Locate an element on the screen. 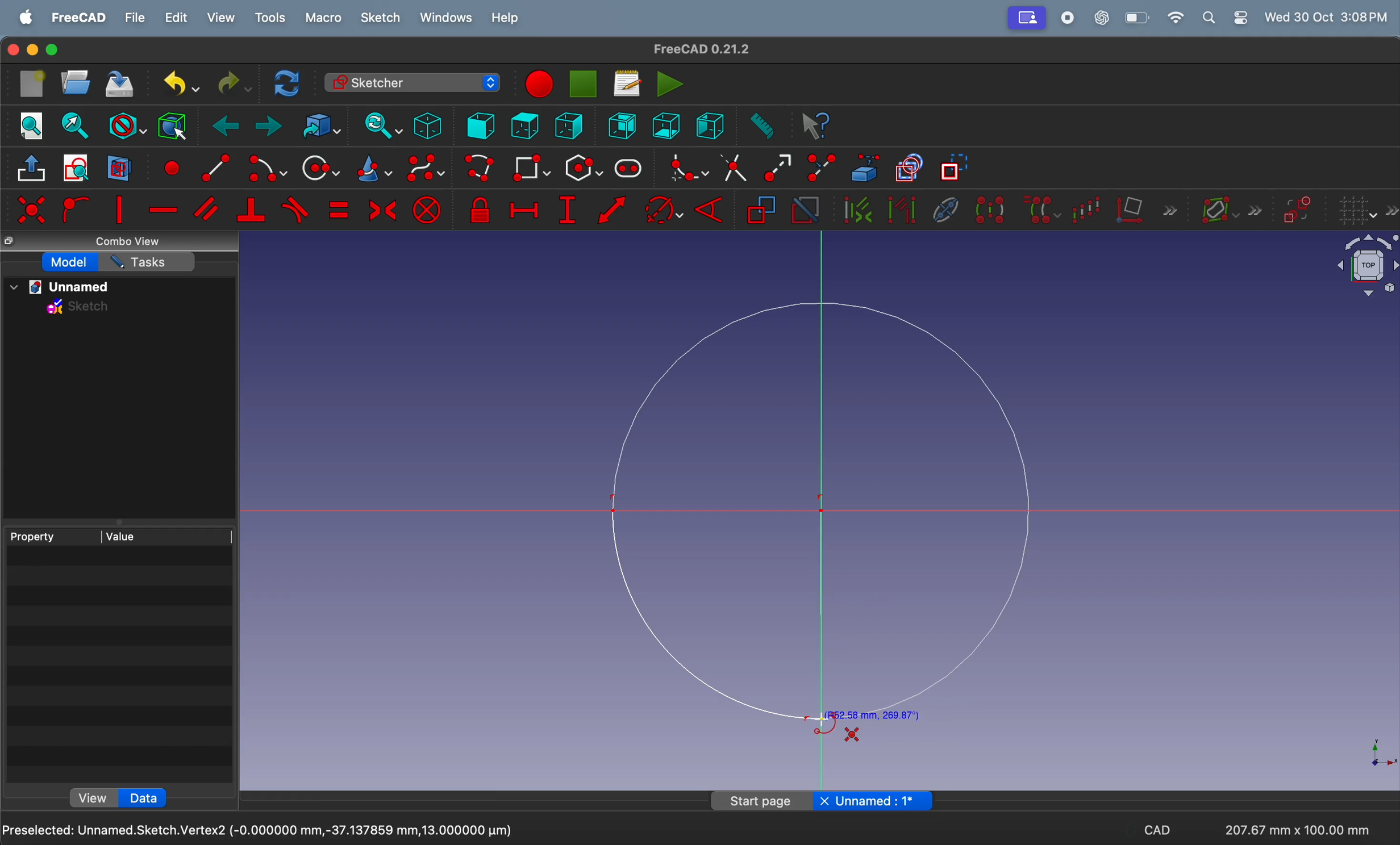  save is located at coordinates (120, 86).